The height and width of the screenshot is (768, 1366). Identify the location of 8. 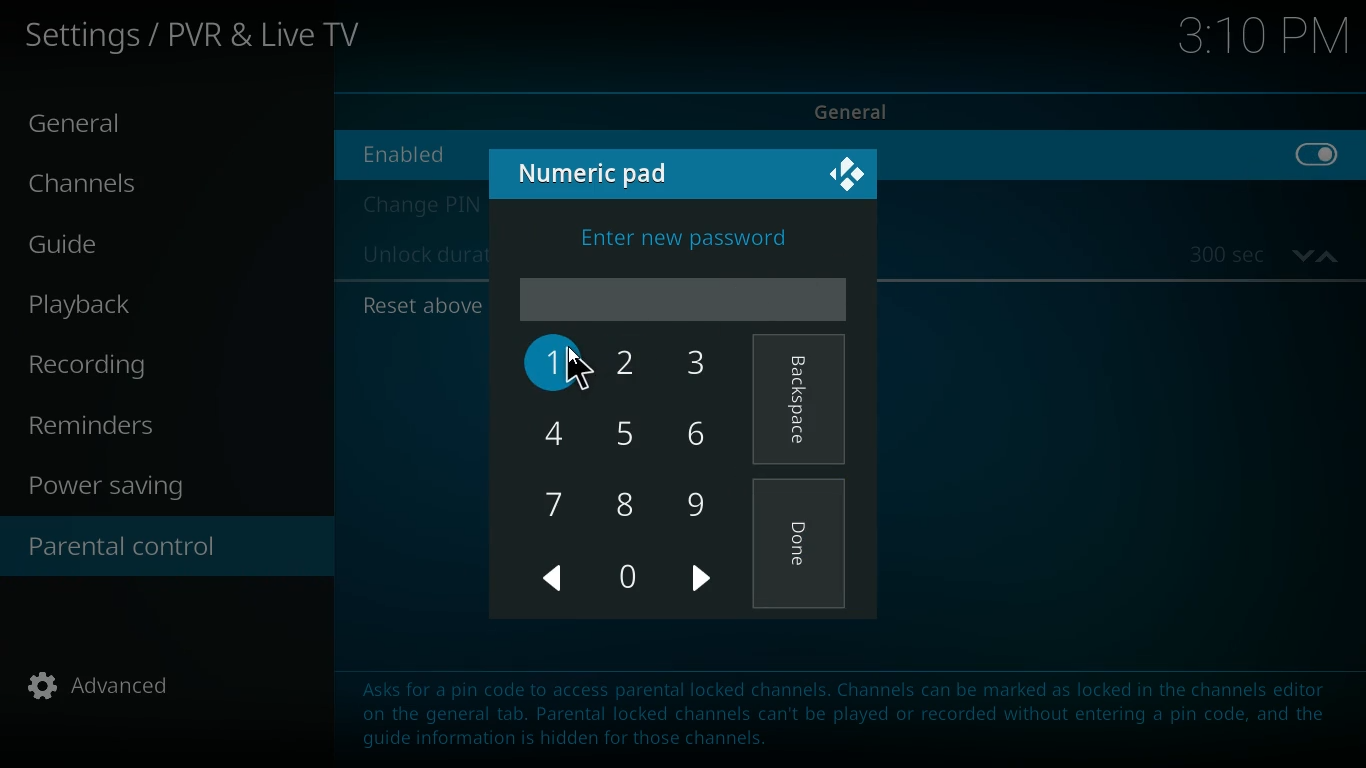
(632, 501).